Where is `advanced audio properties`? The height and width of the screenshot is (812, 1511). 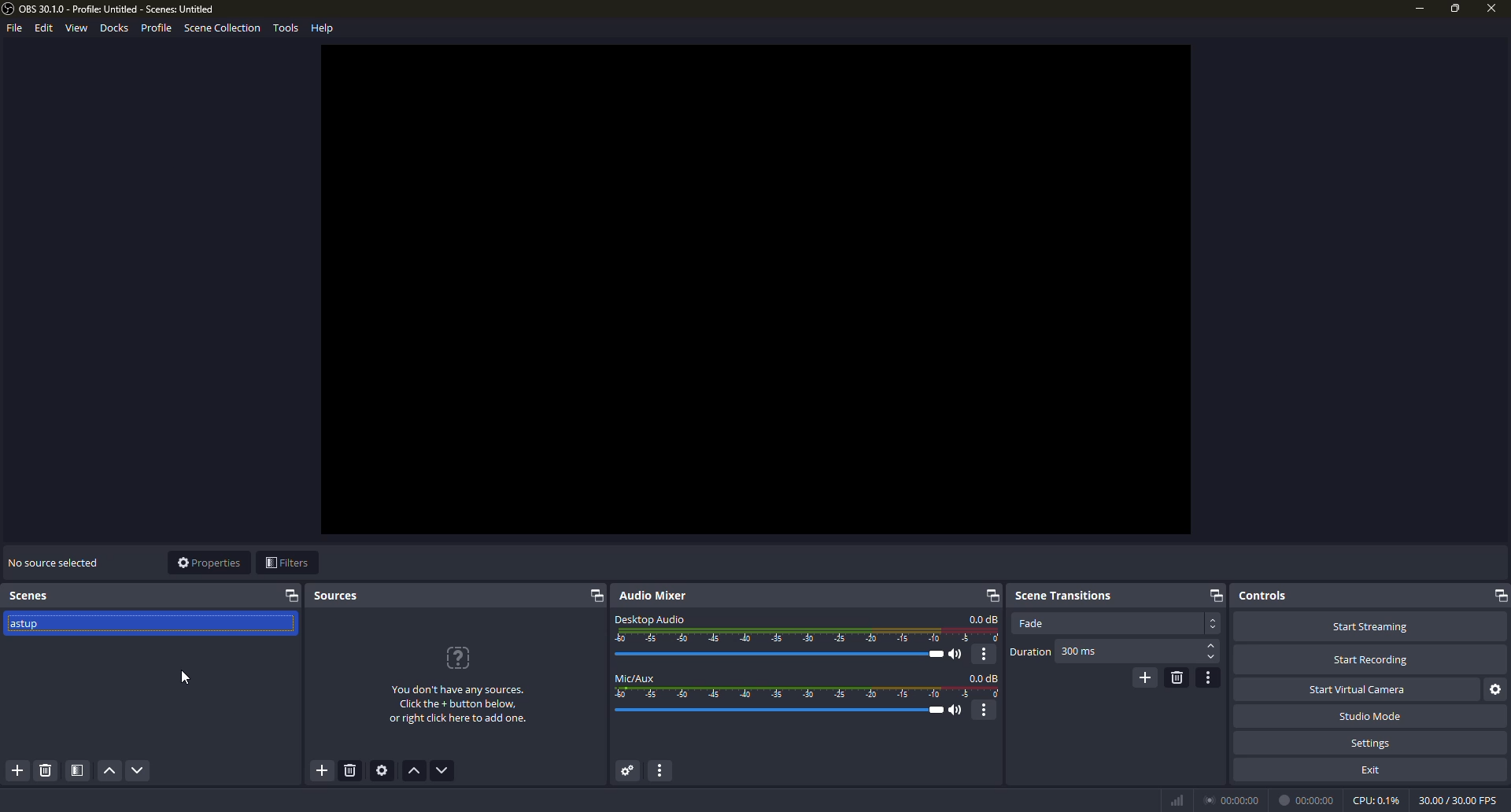 advanced audio properties is located at coordinates (626, 771).